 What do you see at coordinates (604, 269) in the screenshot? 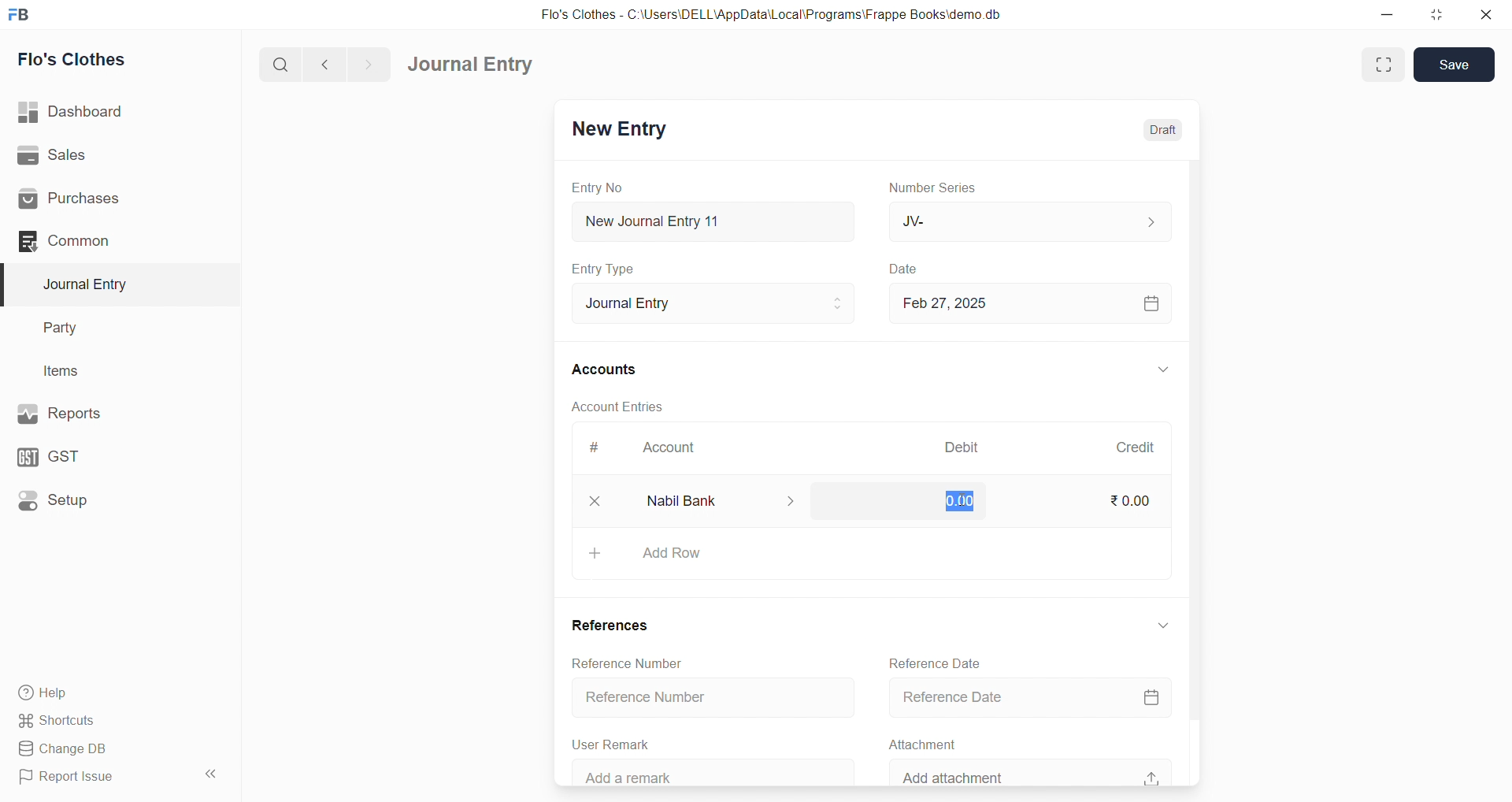
I see `Entry Type` at bounding box center [604, 269].